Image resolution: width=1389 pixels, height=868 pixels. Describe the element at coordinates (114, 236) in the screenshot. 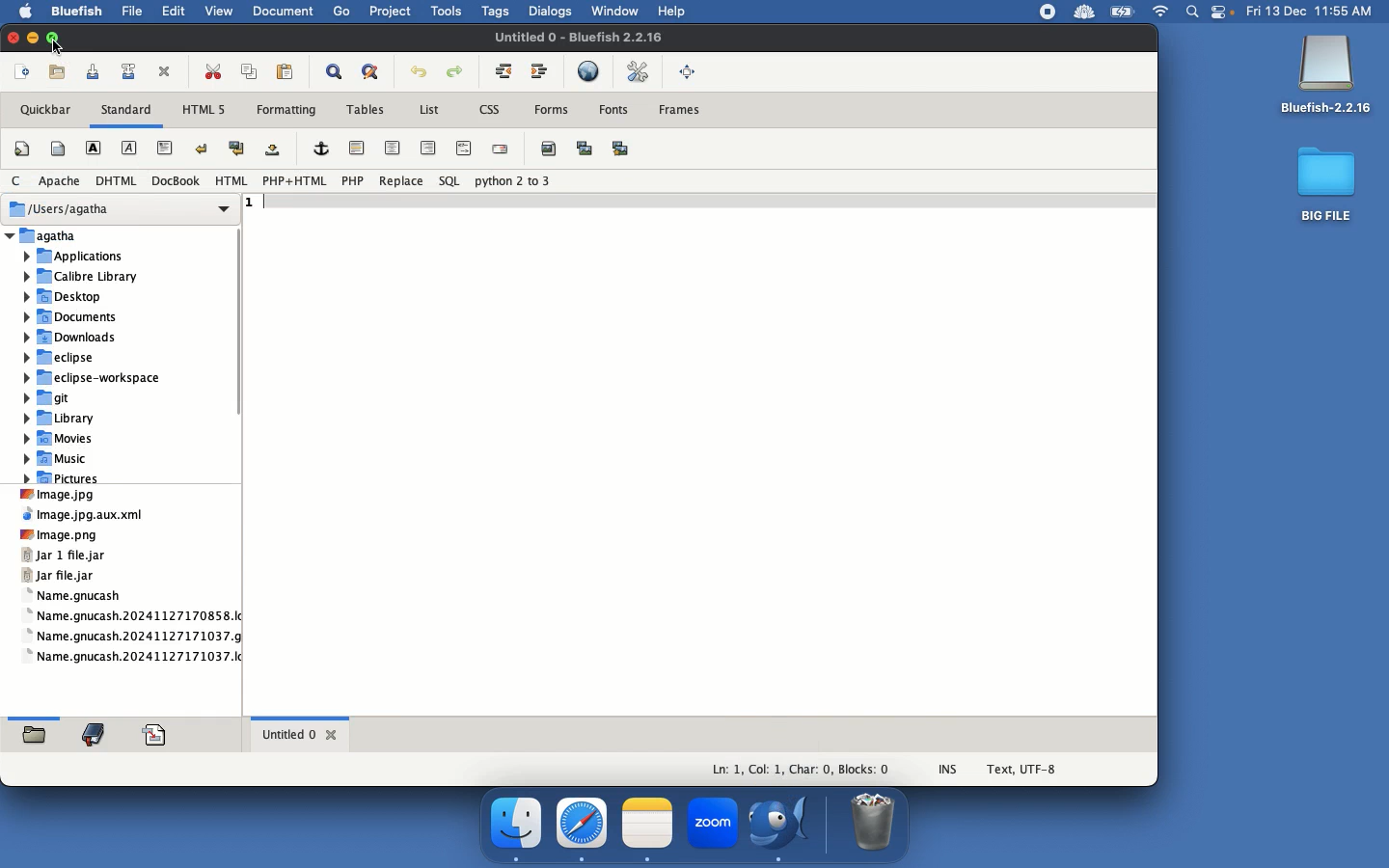

I see `Aghatha's Folders` at that location.